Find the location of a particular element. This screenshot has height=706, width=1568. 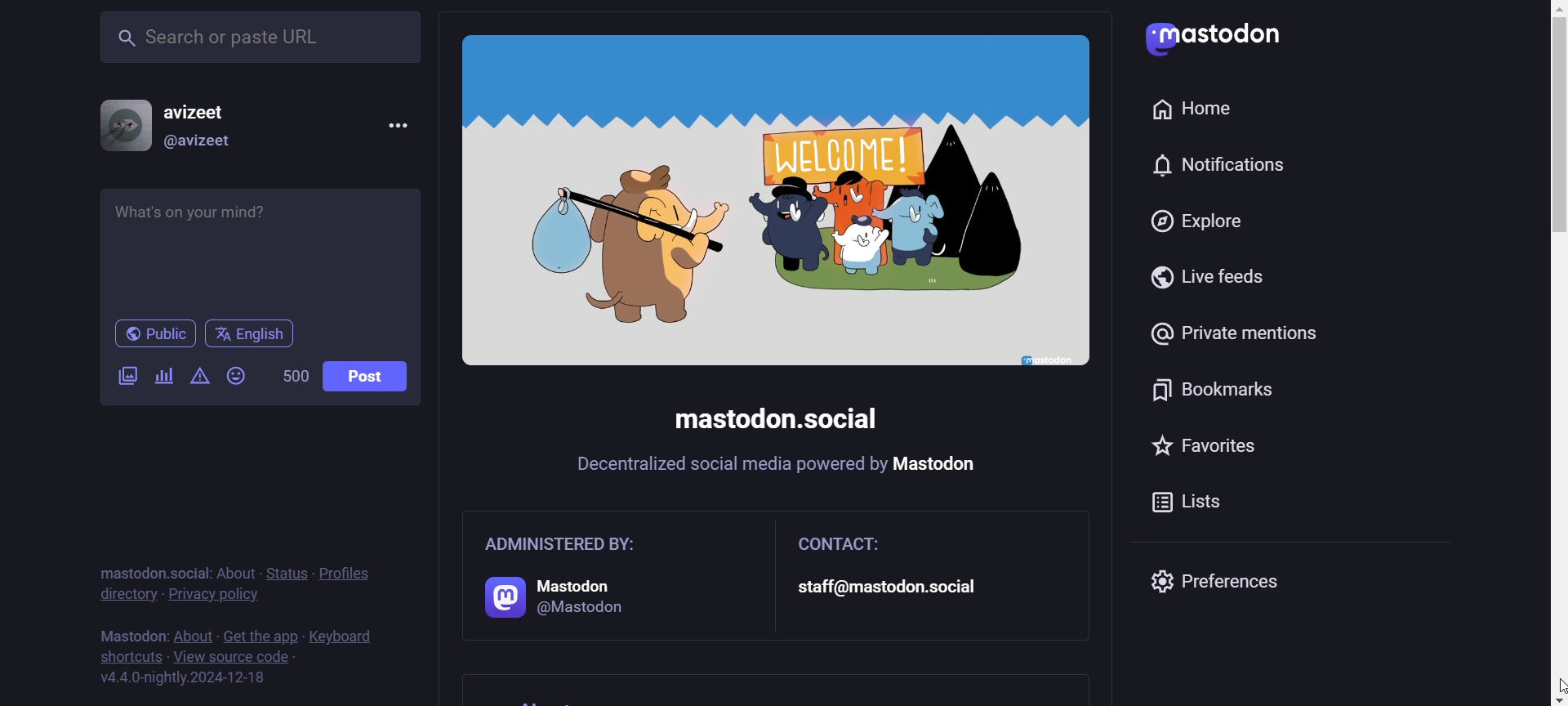

home is located at coordinates (1200, 107).